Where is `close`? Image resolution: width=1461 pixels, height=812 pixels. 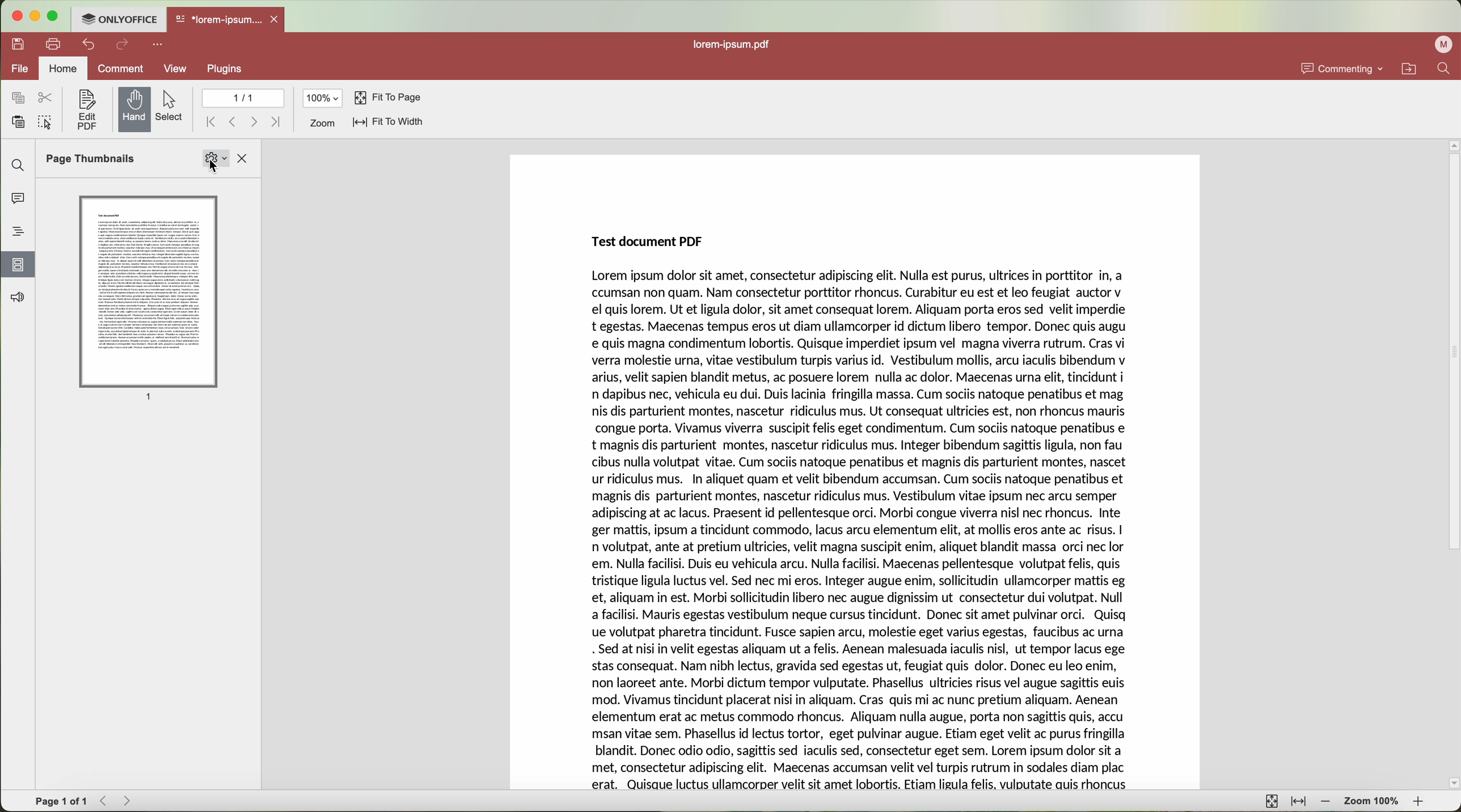 close is located at coordinates (246, 158).